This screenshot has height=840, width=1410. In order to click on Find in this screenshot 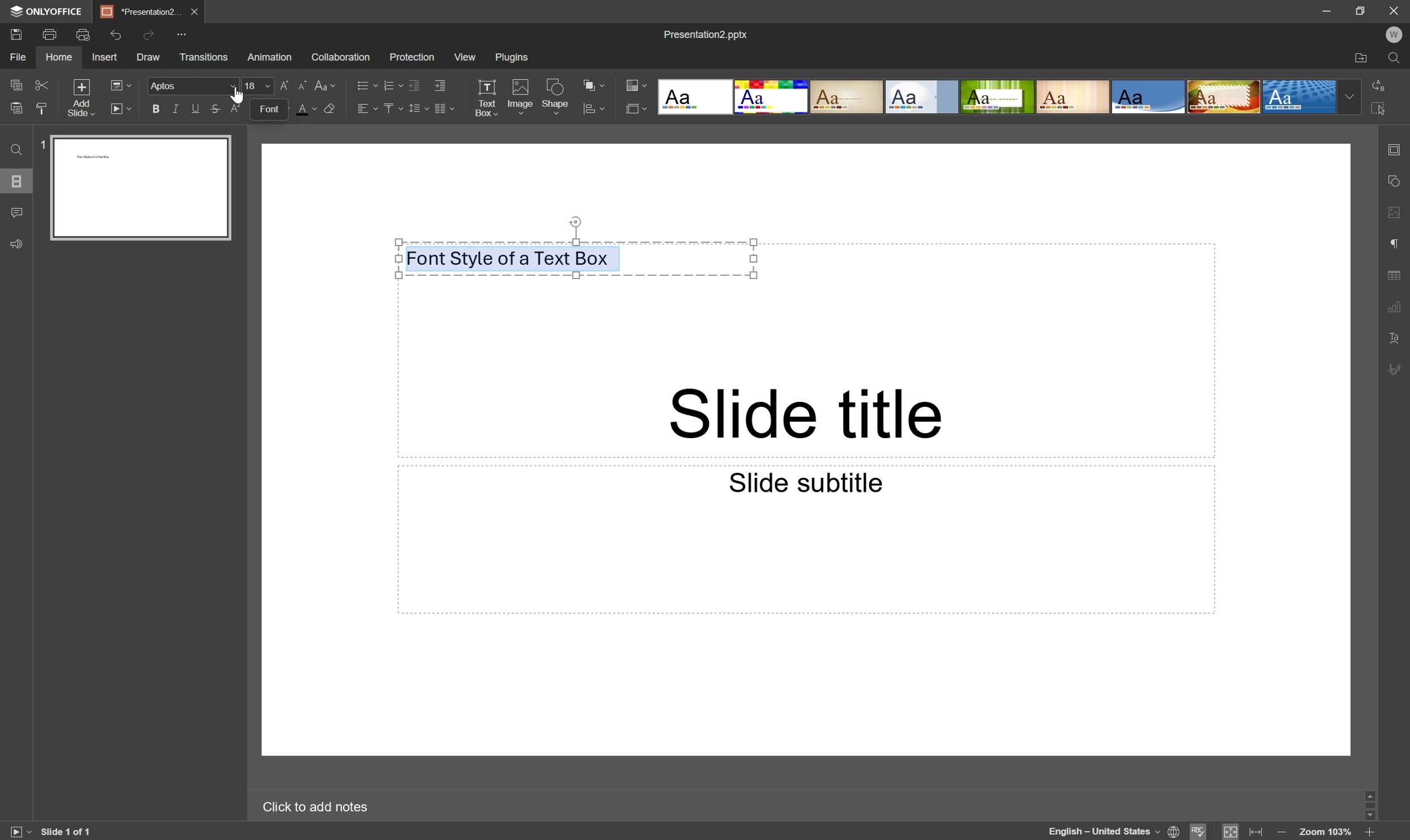, I will do `click(17, 148)`.